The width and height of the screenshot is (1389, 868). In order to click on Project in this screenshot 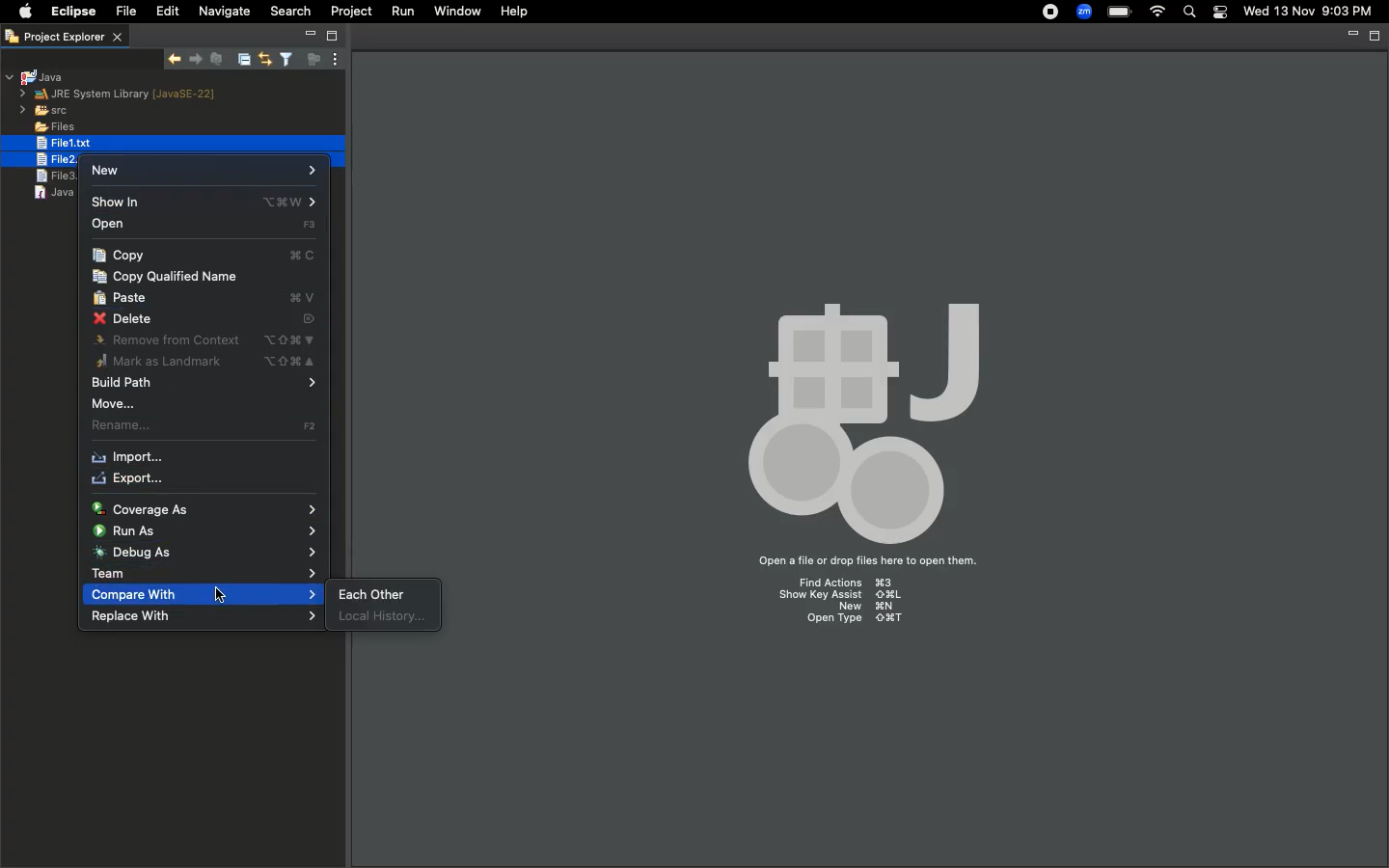, I will do `click(352, 12)`.